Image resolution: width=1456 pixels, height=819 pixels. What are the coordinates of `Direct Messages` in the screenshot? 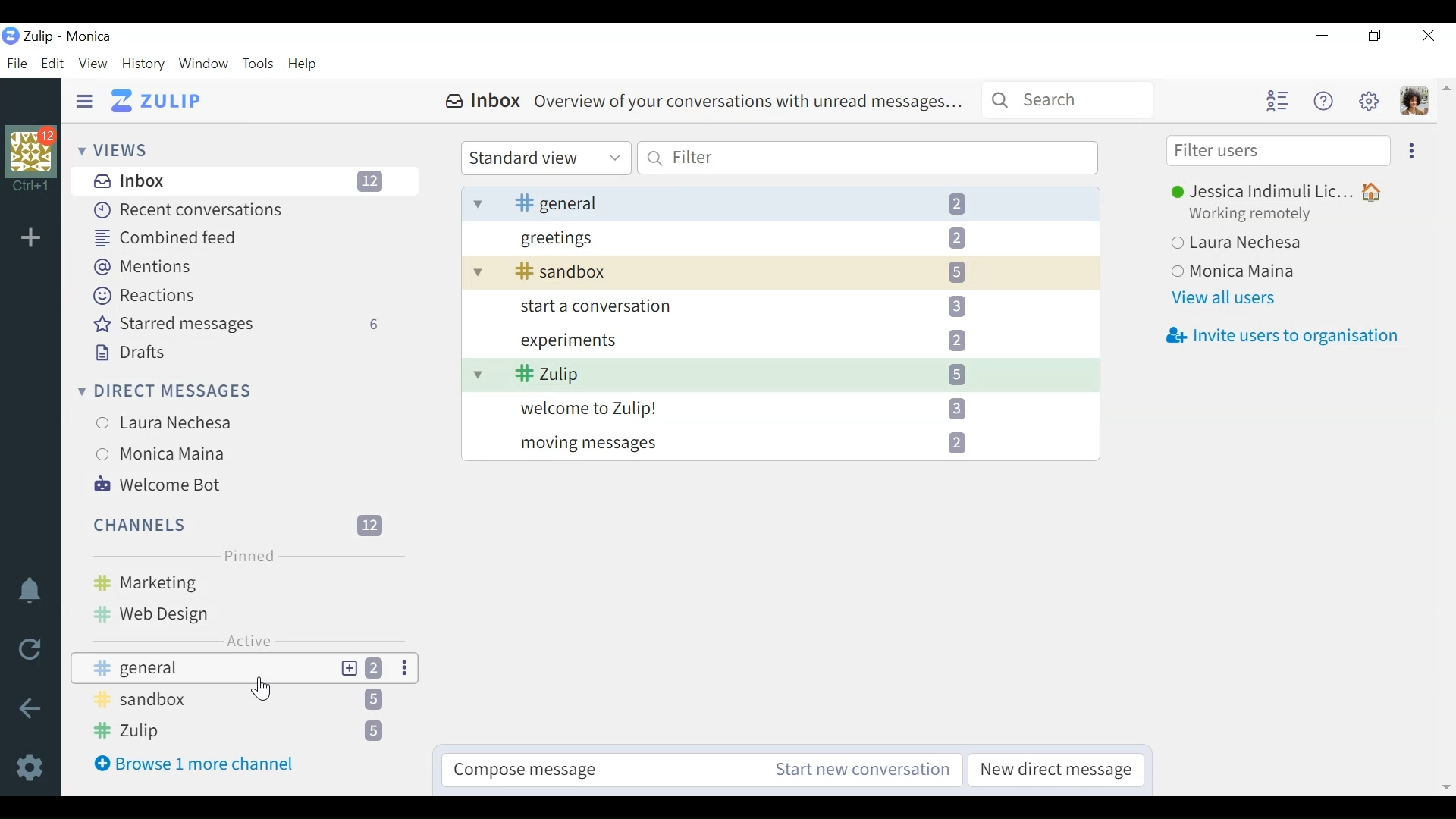 It's located at (166, 393).